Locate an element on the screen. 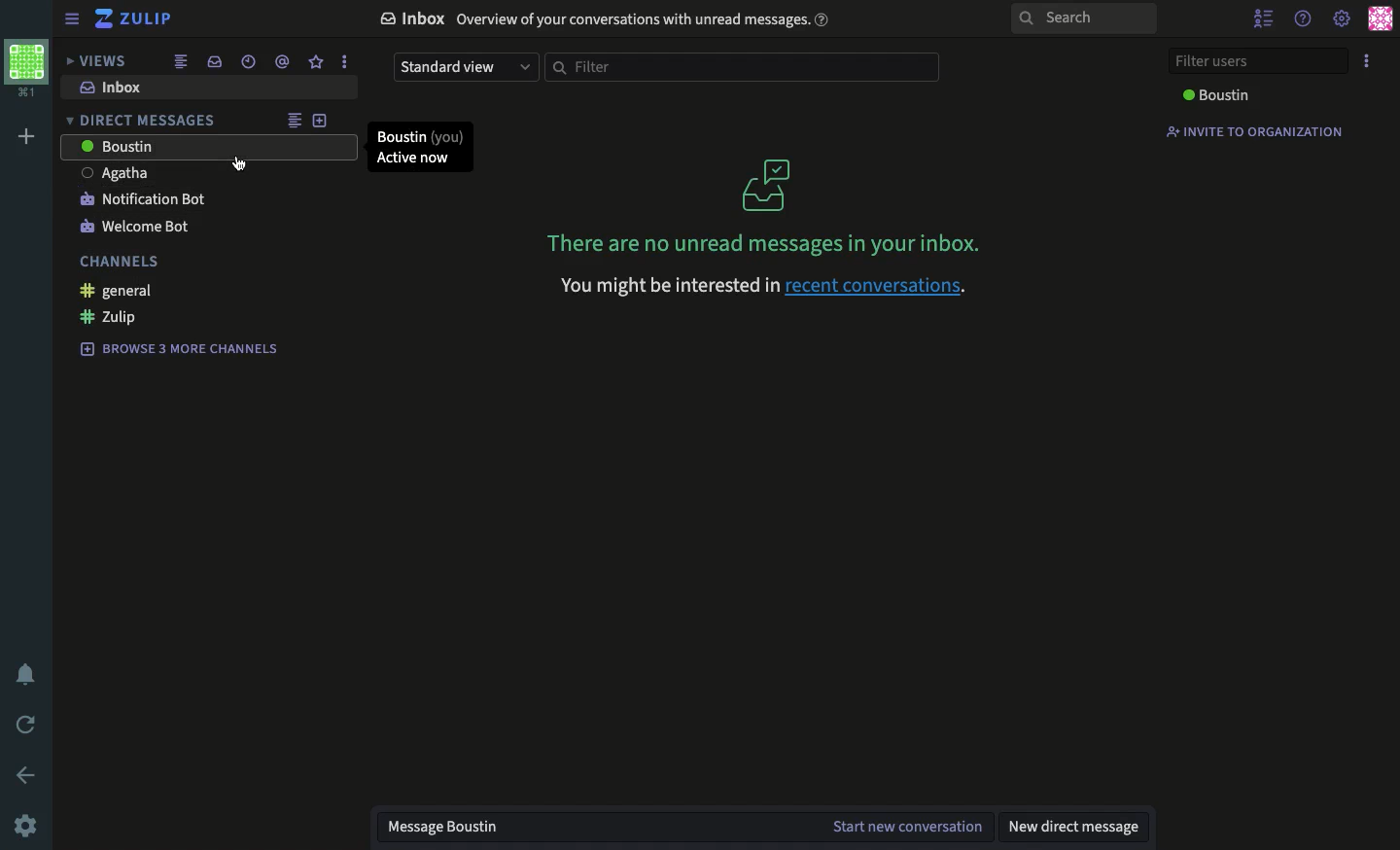 The height and width of the screenshot is (850, 1400). channels is located at coordinates (120, 262).